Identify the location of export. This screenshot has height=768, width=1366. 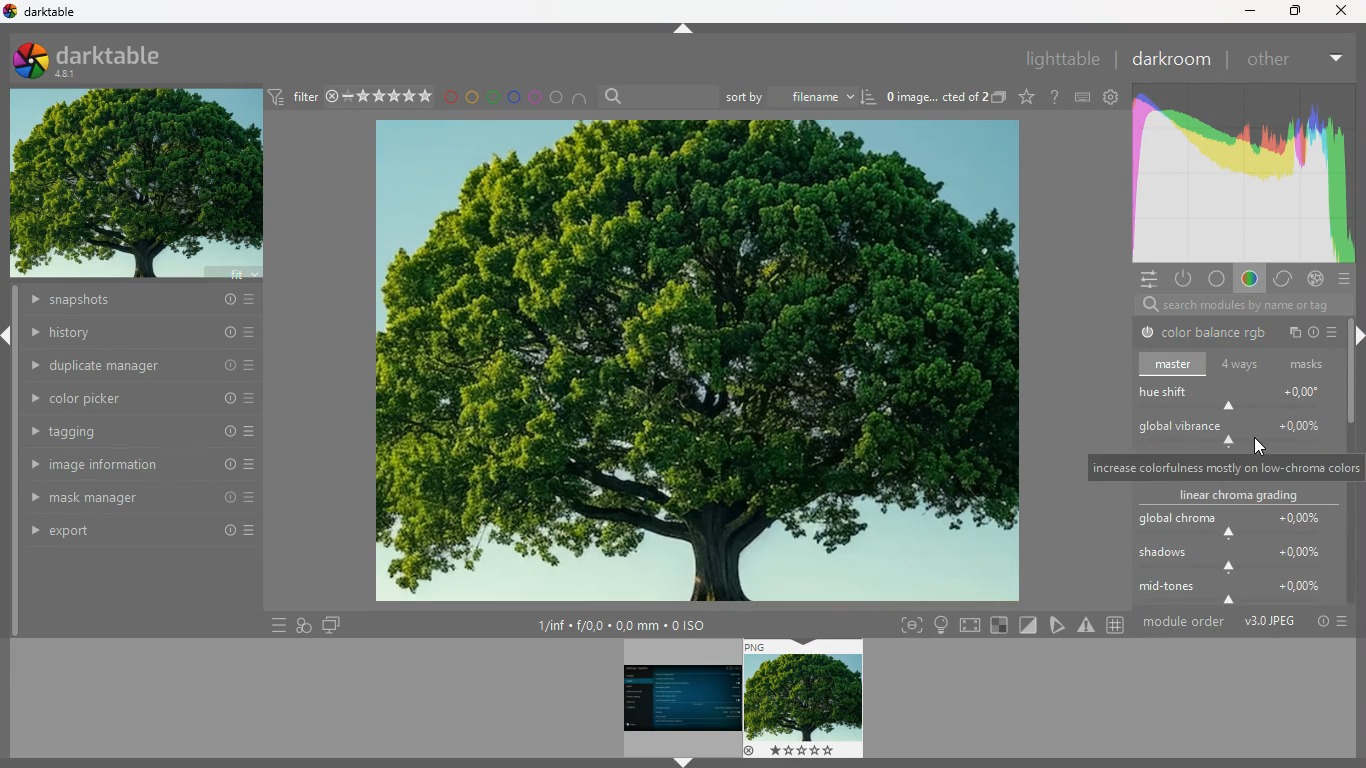
(145, 533).